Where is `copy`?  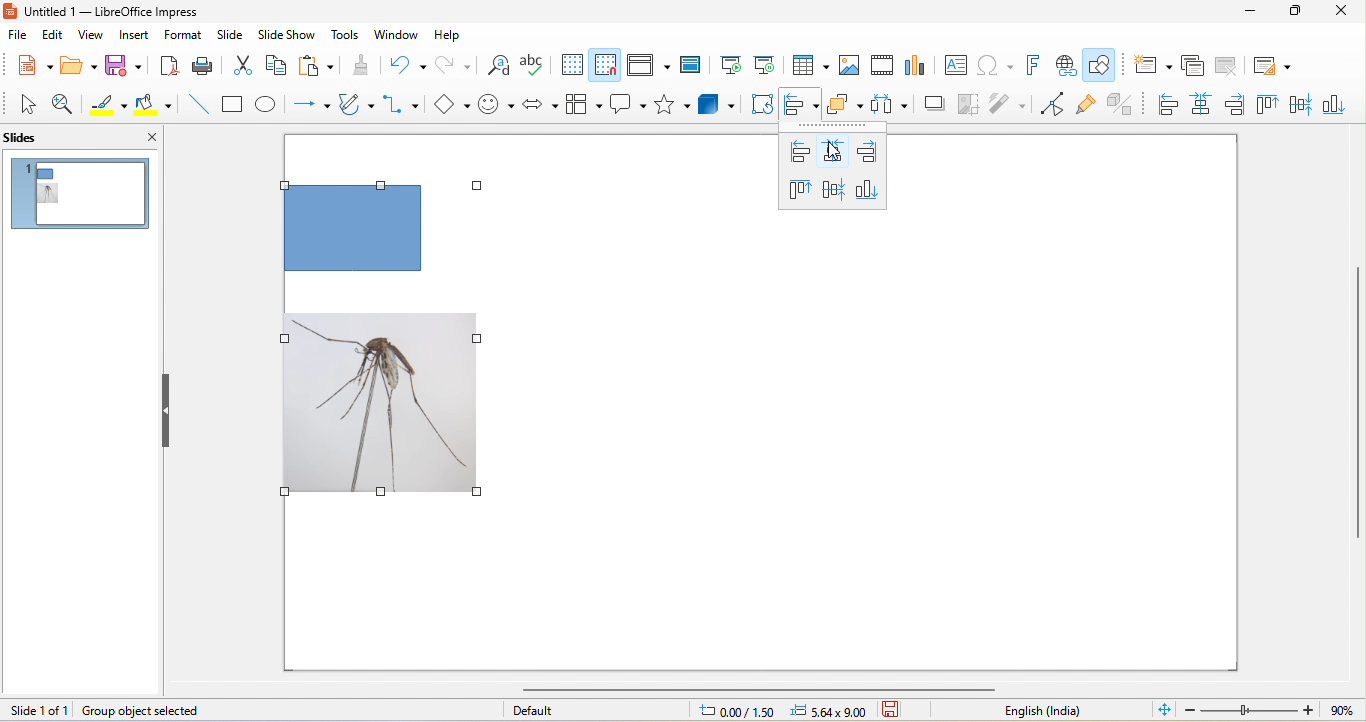
copy is located at coordinates (277, 66).